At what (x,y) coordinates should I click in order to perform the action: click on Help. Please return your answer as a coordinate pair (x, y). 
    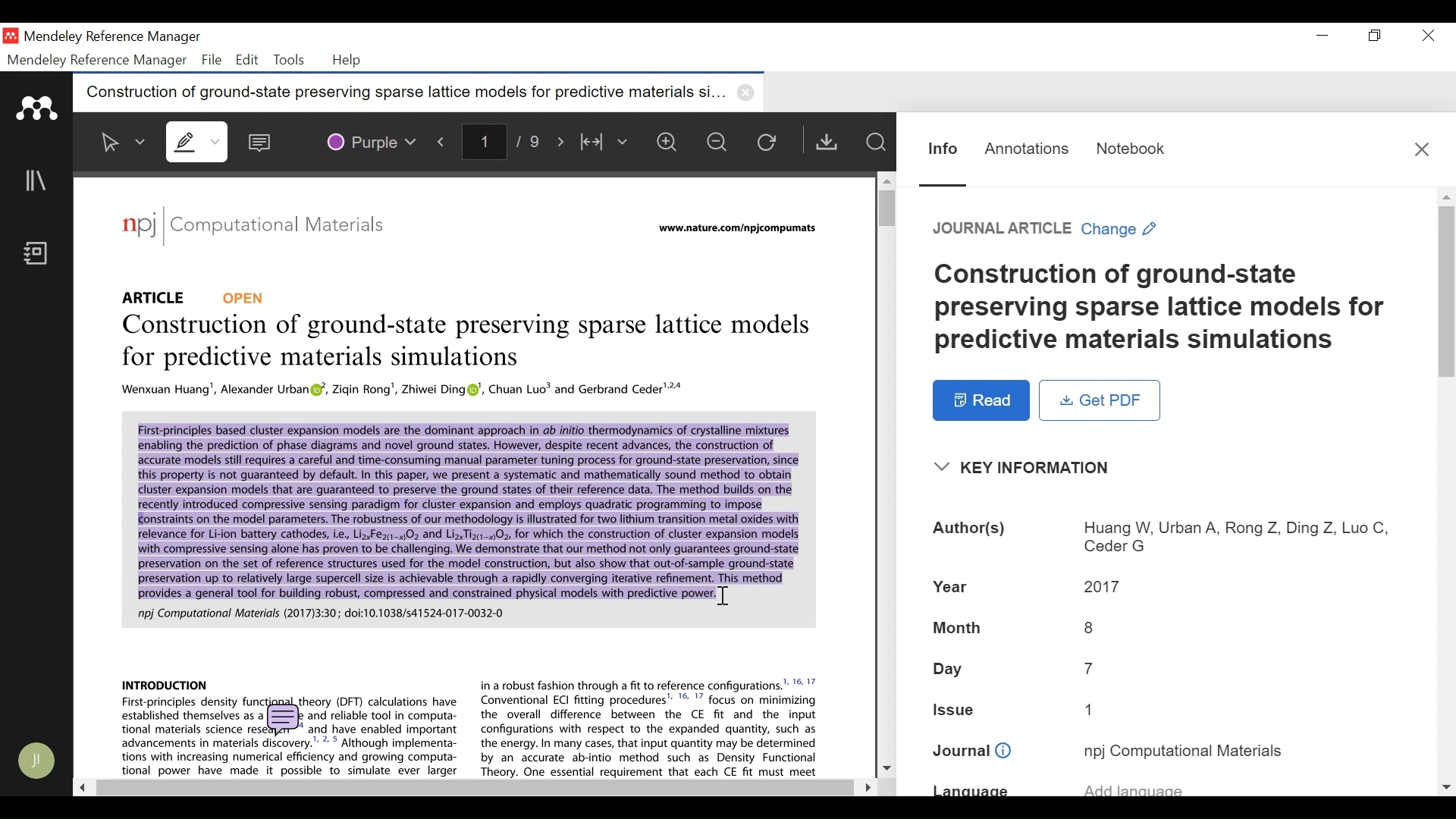
    Looking at the image, I should click on (348, 61).